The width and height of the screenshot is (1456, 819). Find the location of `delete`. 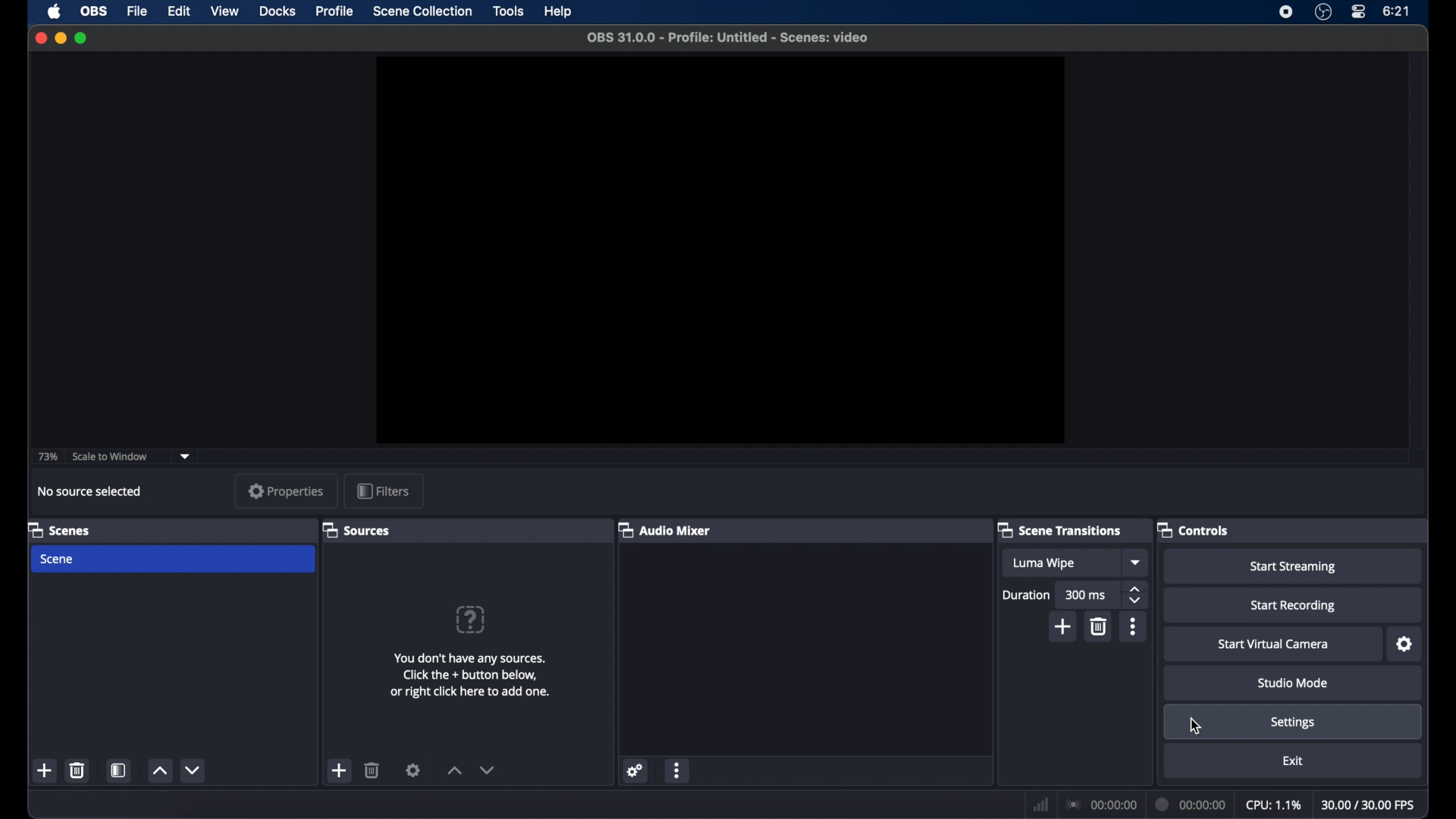

delete is located at coordinates (1100, 626).